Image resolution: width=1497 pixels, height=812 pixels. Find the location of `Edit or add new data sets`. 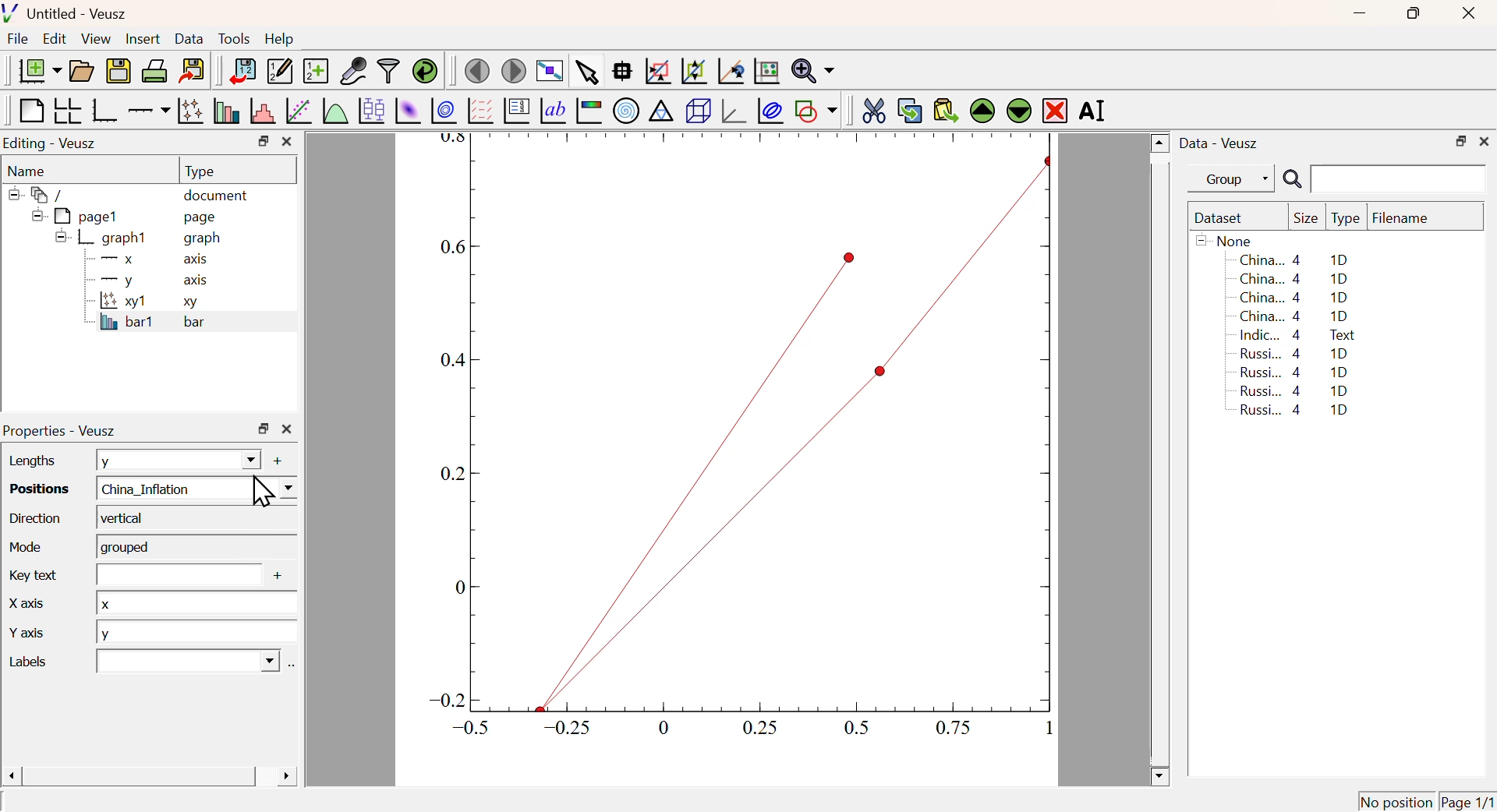

Edit or add new data sets is located at coordinates (278, 72).